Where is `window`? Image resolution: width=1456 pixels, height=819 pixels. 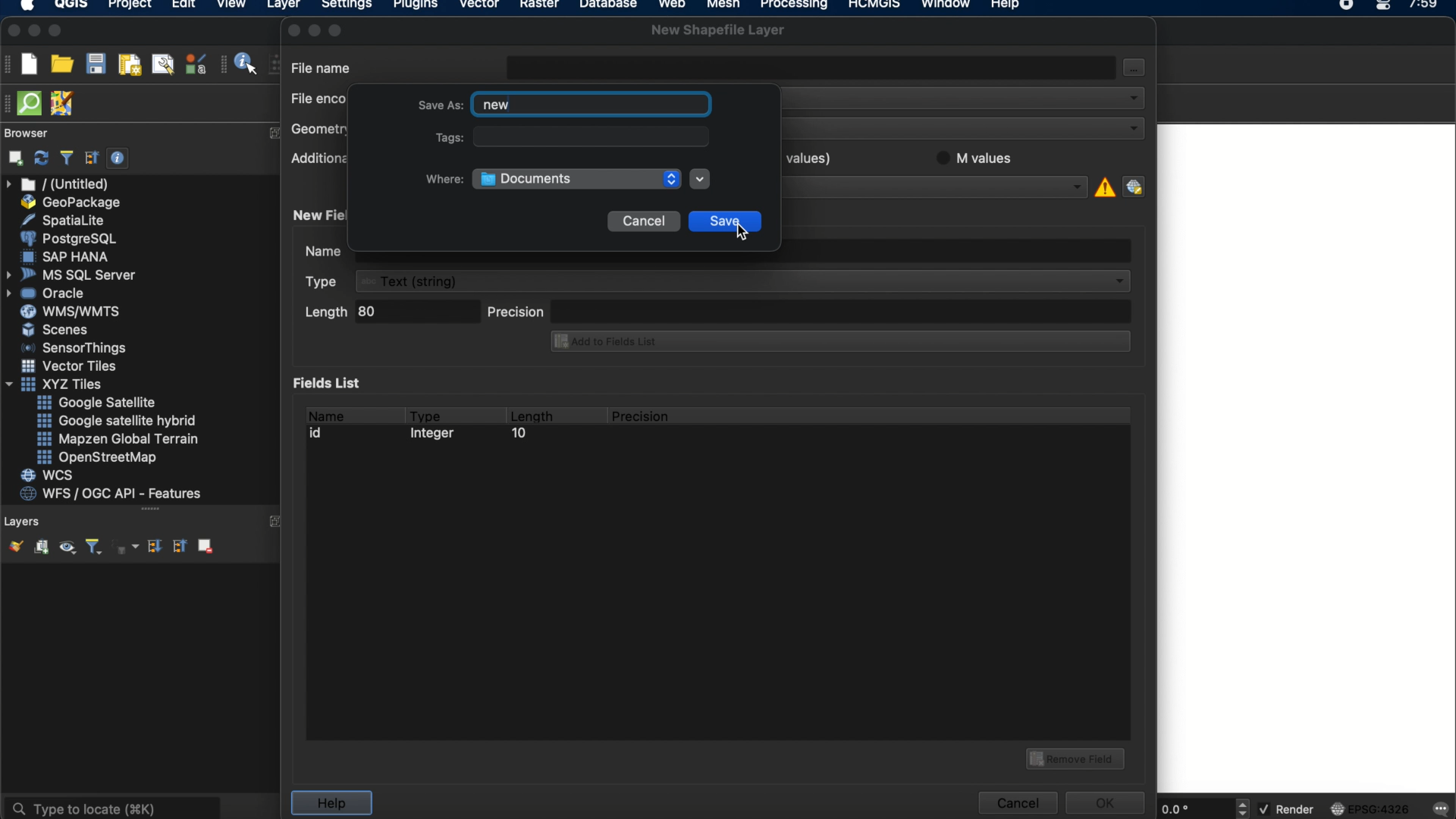 window is located at coordinates (949, 6).